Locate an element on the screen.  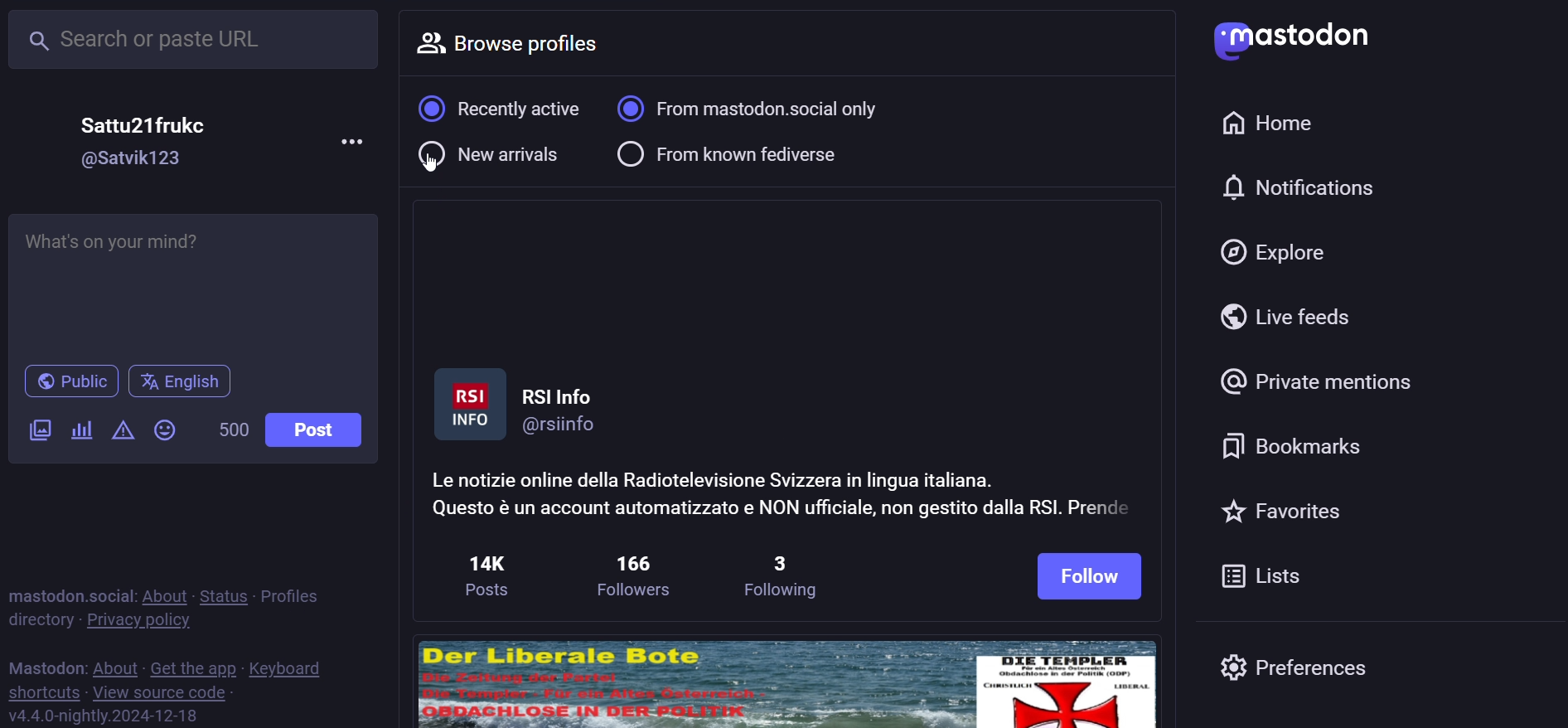
14k posts is located at coordinates (492, 574).